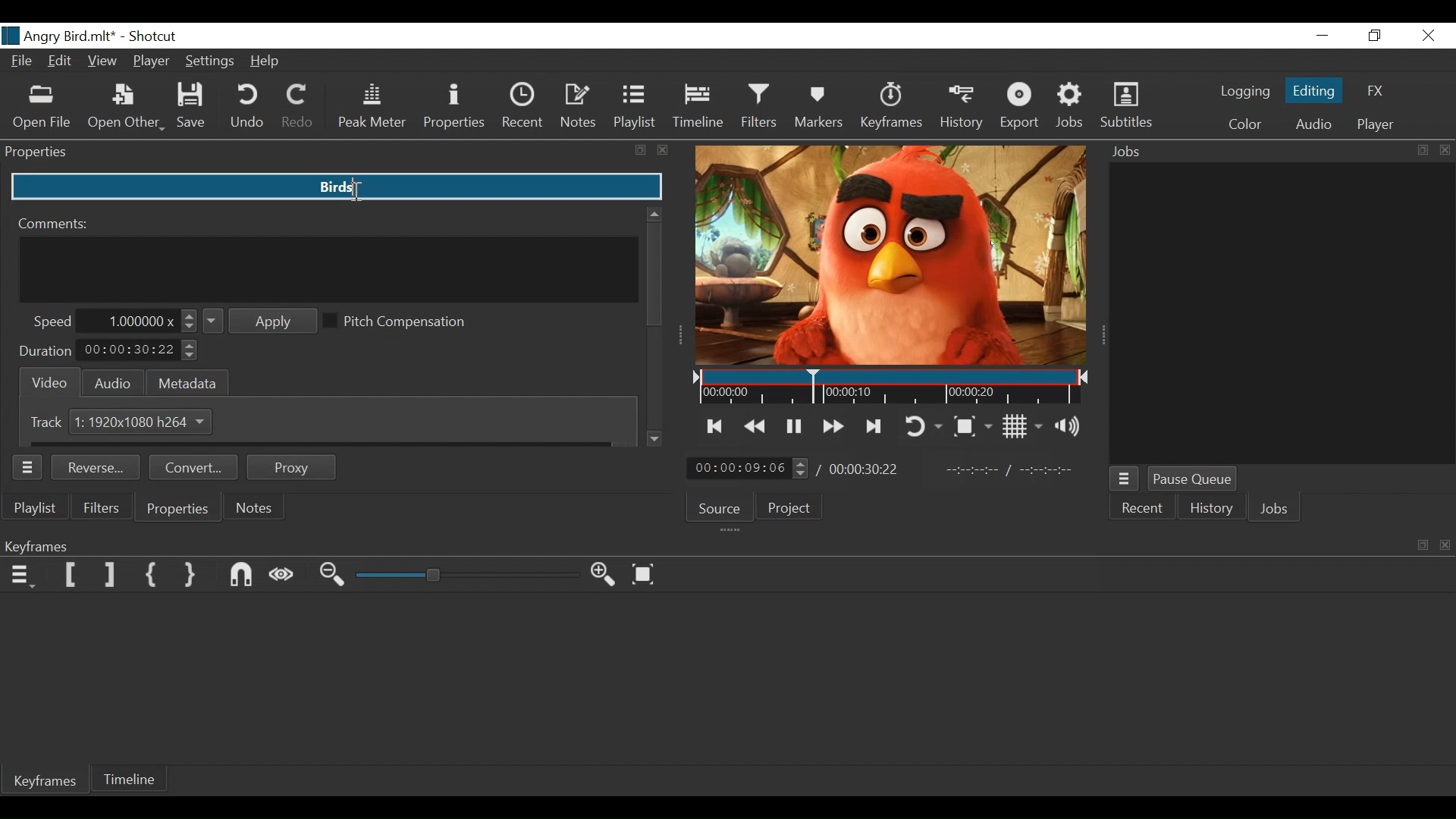 This screenshot has width=1456, height=819. What do you see at coordinates (210, 61) in the screenshot?
I see `Settings` at bounding box center [210, 61].